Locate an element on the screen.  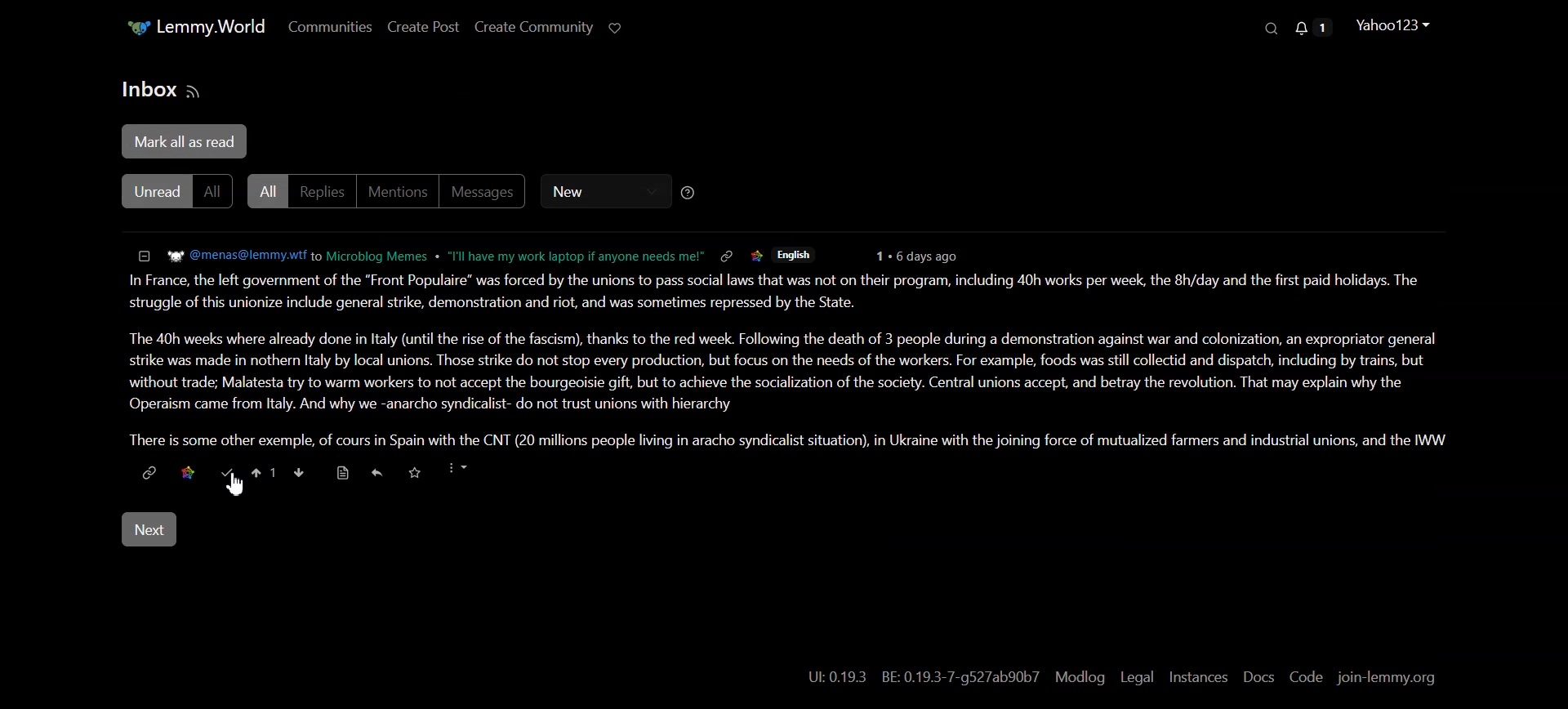
Cursor is located at coordinates (238, 488).